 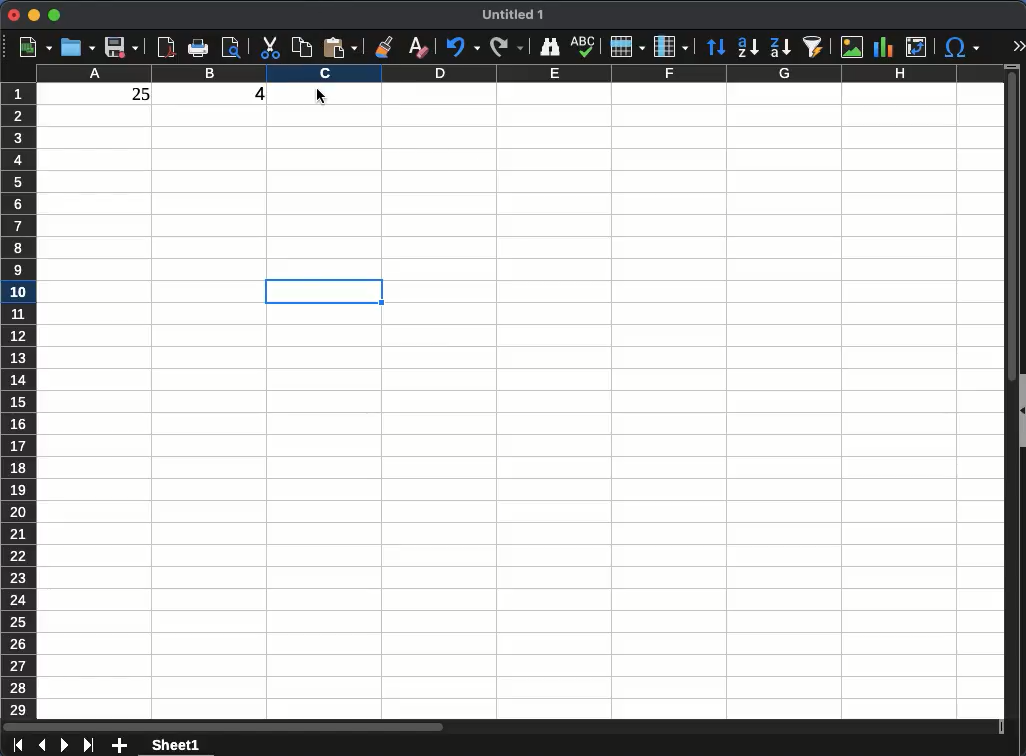 What do you see at coordinates (1019, 45) in the screenshot?
I see `expand` at bounding box center [1019, 45].